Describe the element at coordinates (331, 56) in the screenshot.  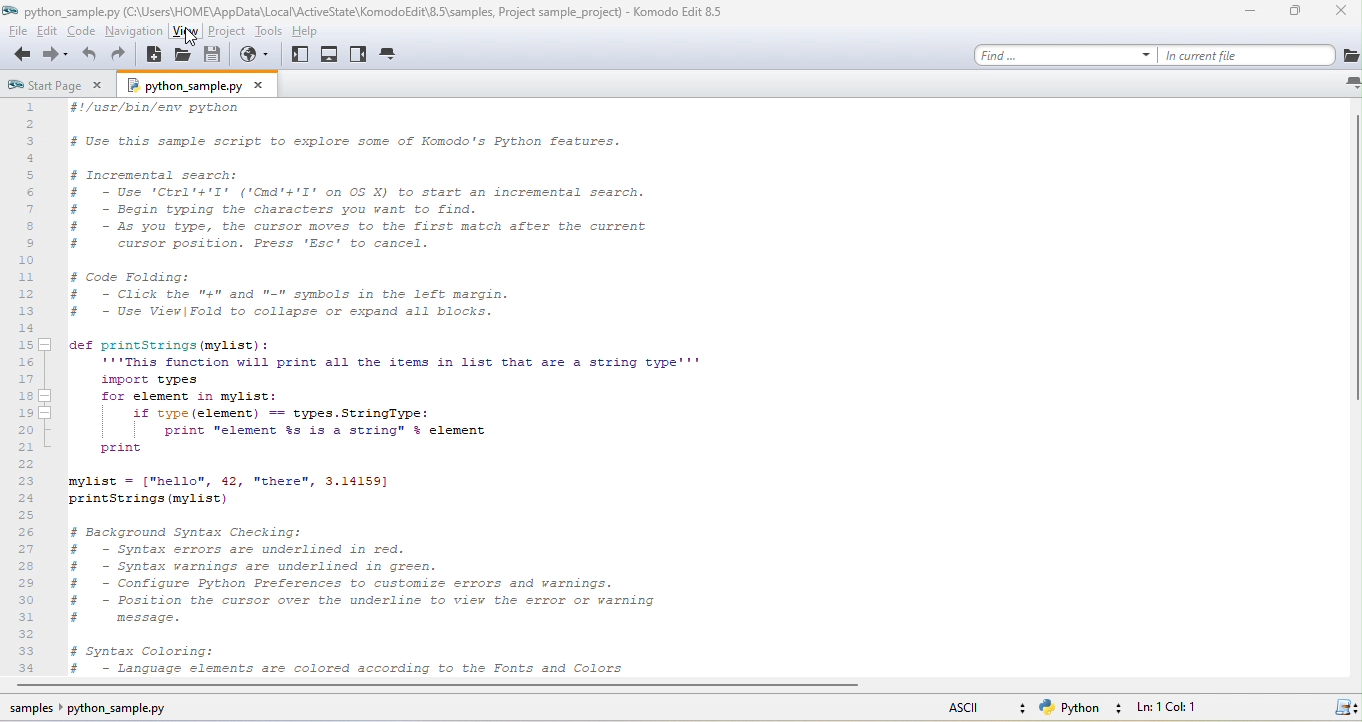
I see `bottom pane` at that location.